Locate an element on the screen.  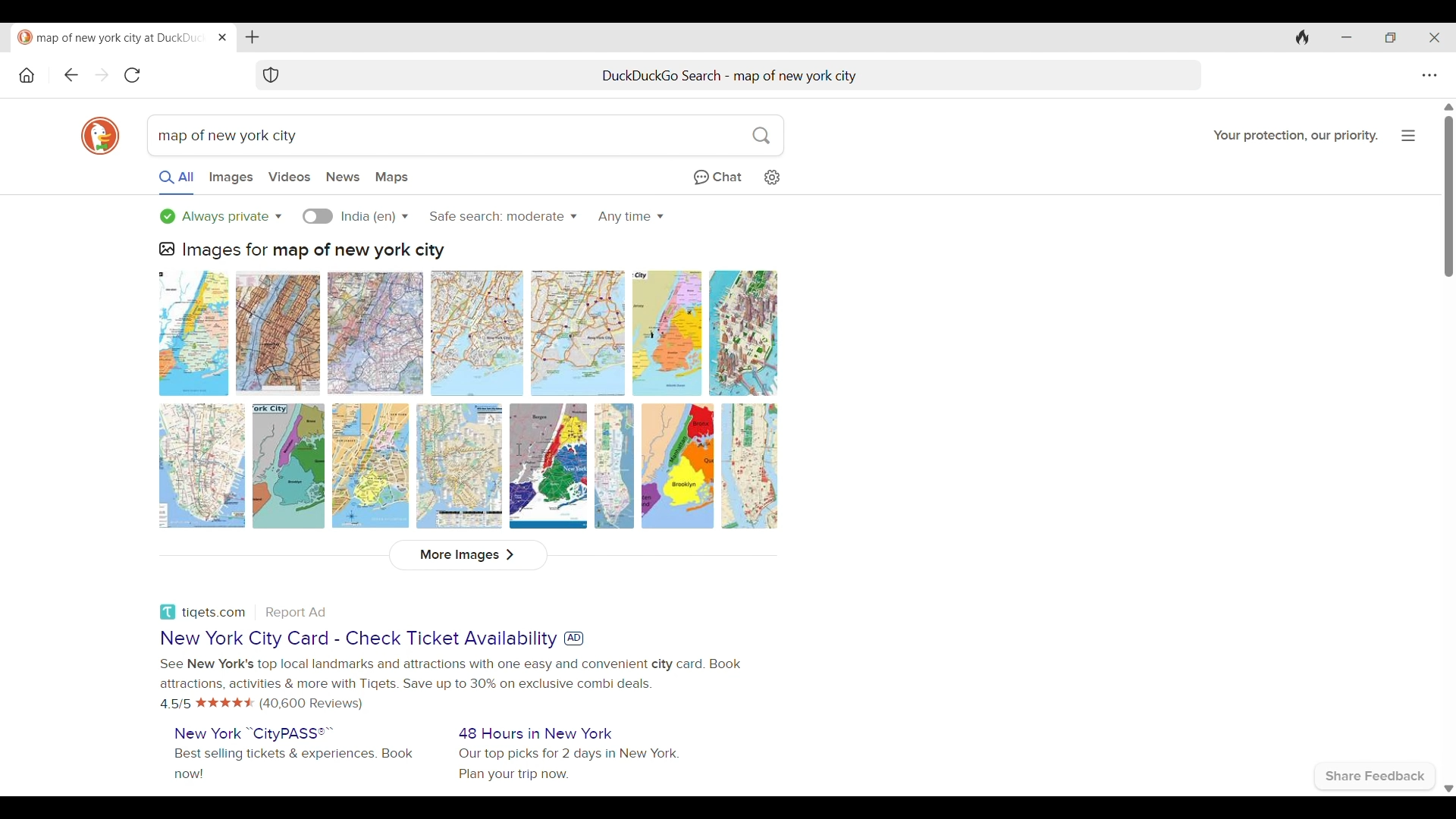
tigets.com is located at coordinates (214, 613).